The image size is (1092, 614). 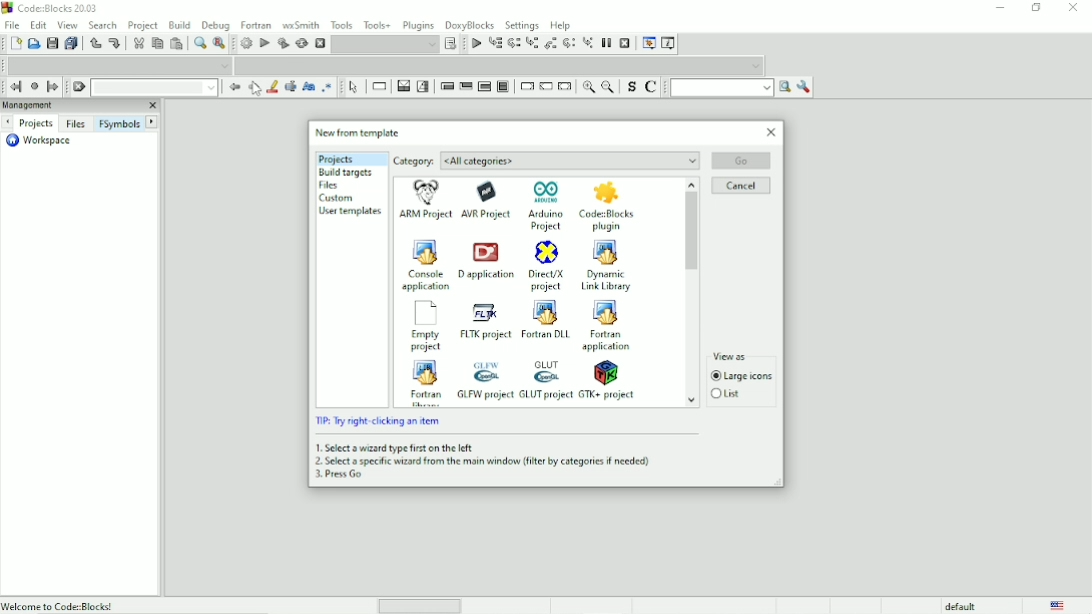 I want to click on FSymbols, so click(x=119, y=124).